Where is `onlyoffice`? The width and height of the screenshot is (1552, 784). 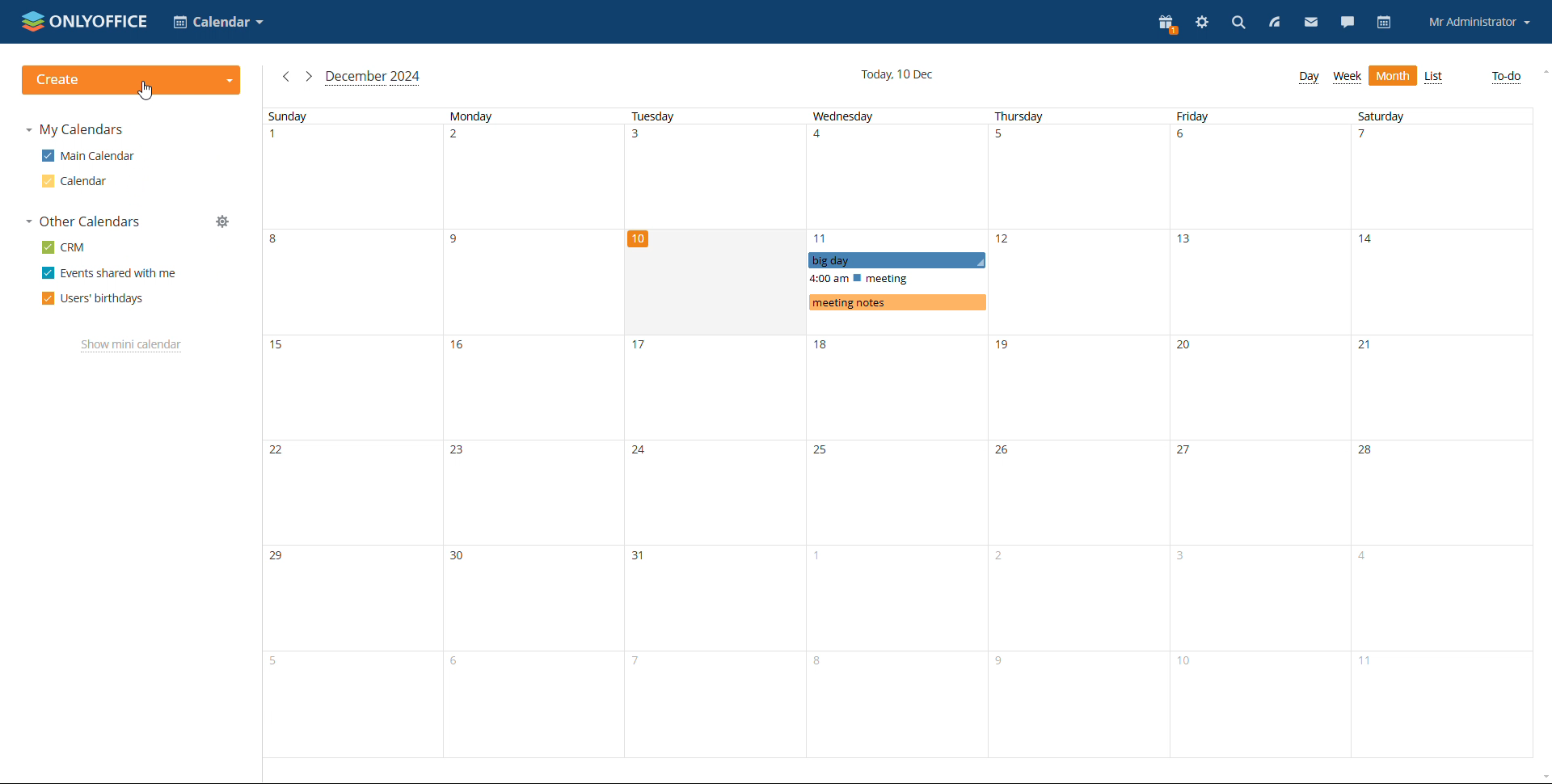 onlyoffice is located at coordinates (103, 21).